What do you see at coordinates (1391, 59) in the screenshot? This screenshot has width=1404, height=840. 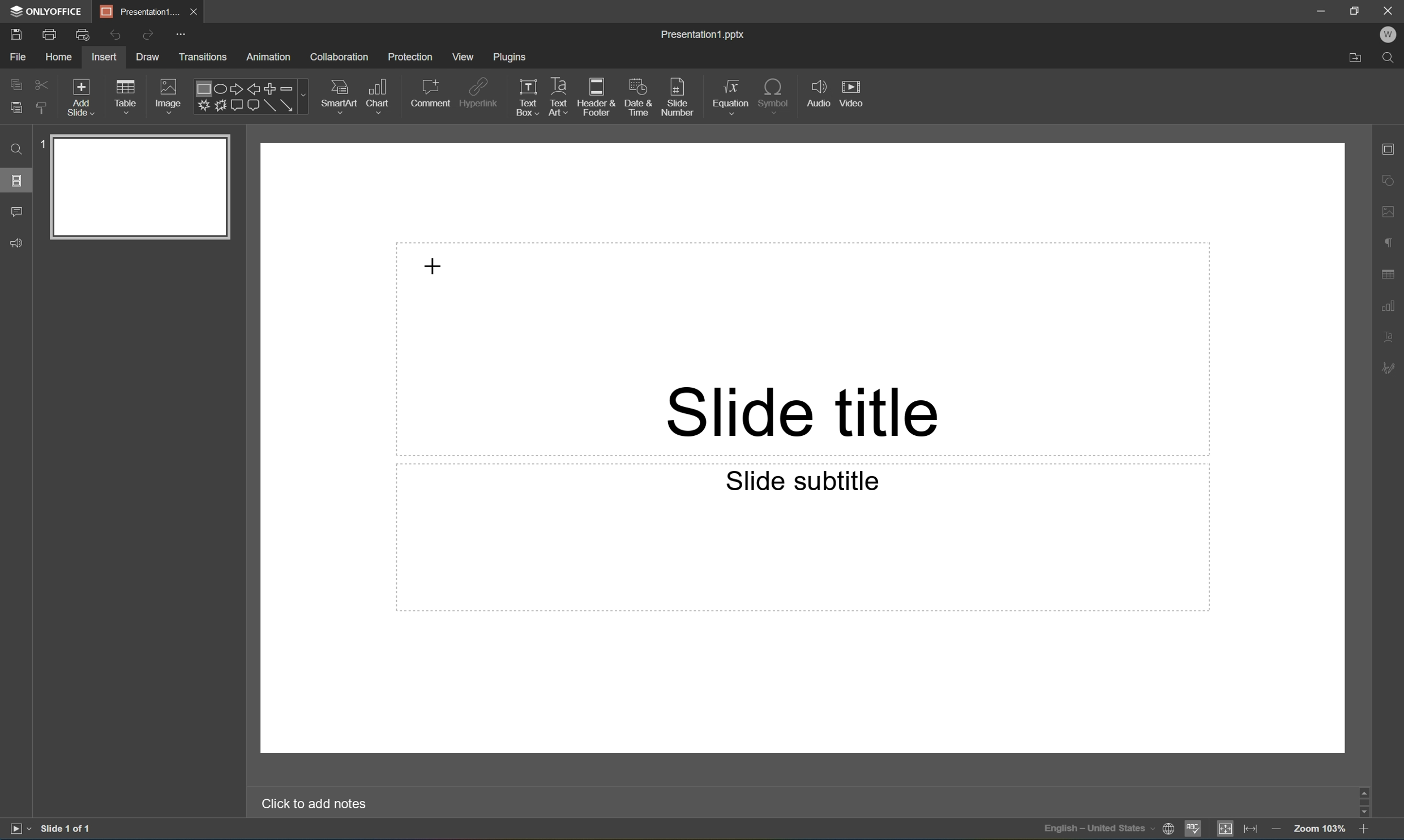 I see `Find` at bounding box center [1391, 59].